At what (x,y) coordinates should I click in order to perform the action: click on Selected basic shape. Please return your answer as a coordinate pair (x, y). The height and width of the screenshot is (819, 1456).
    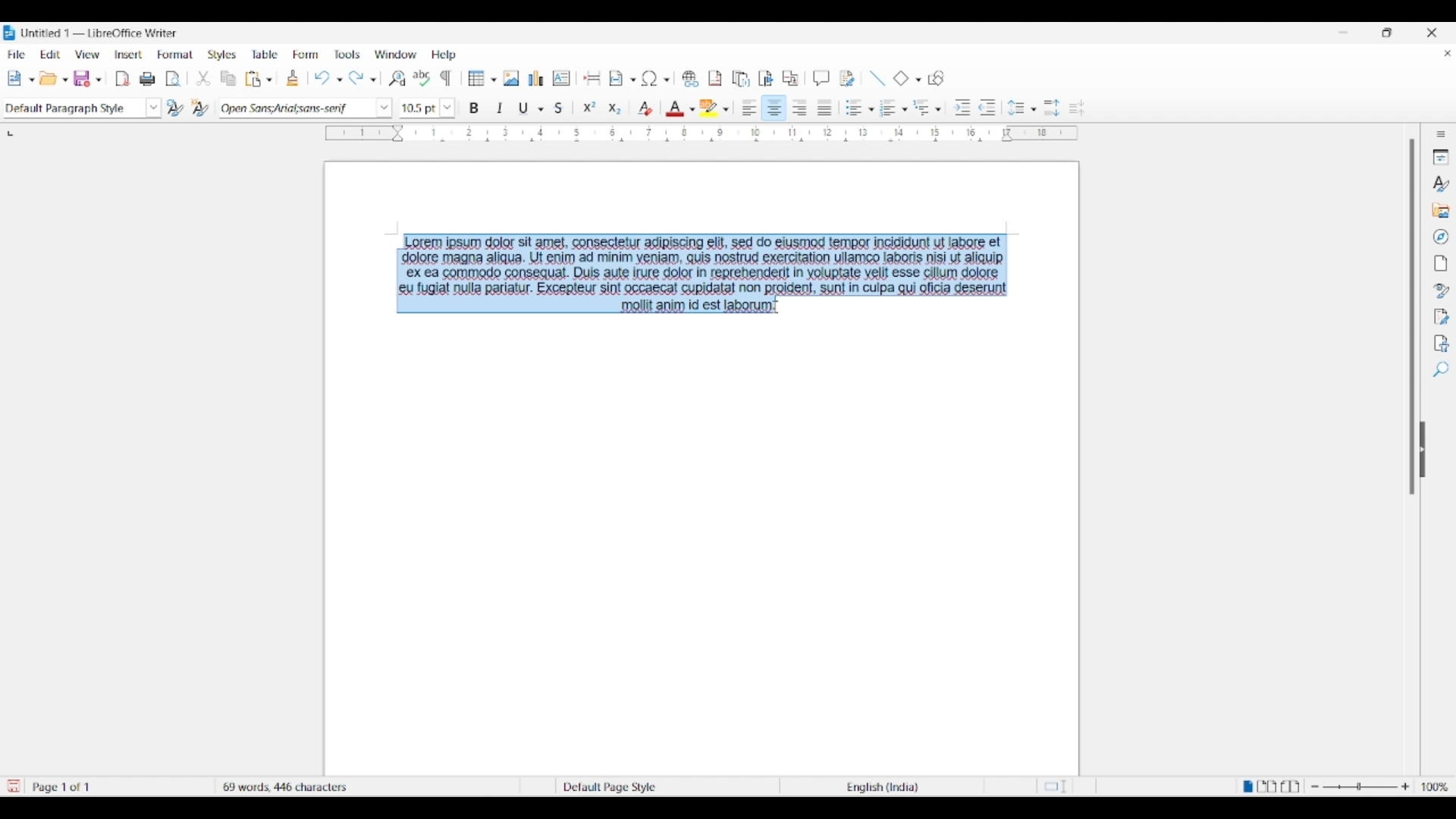
    Looking at the image, I should click on (901, 77).